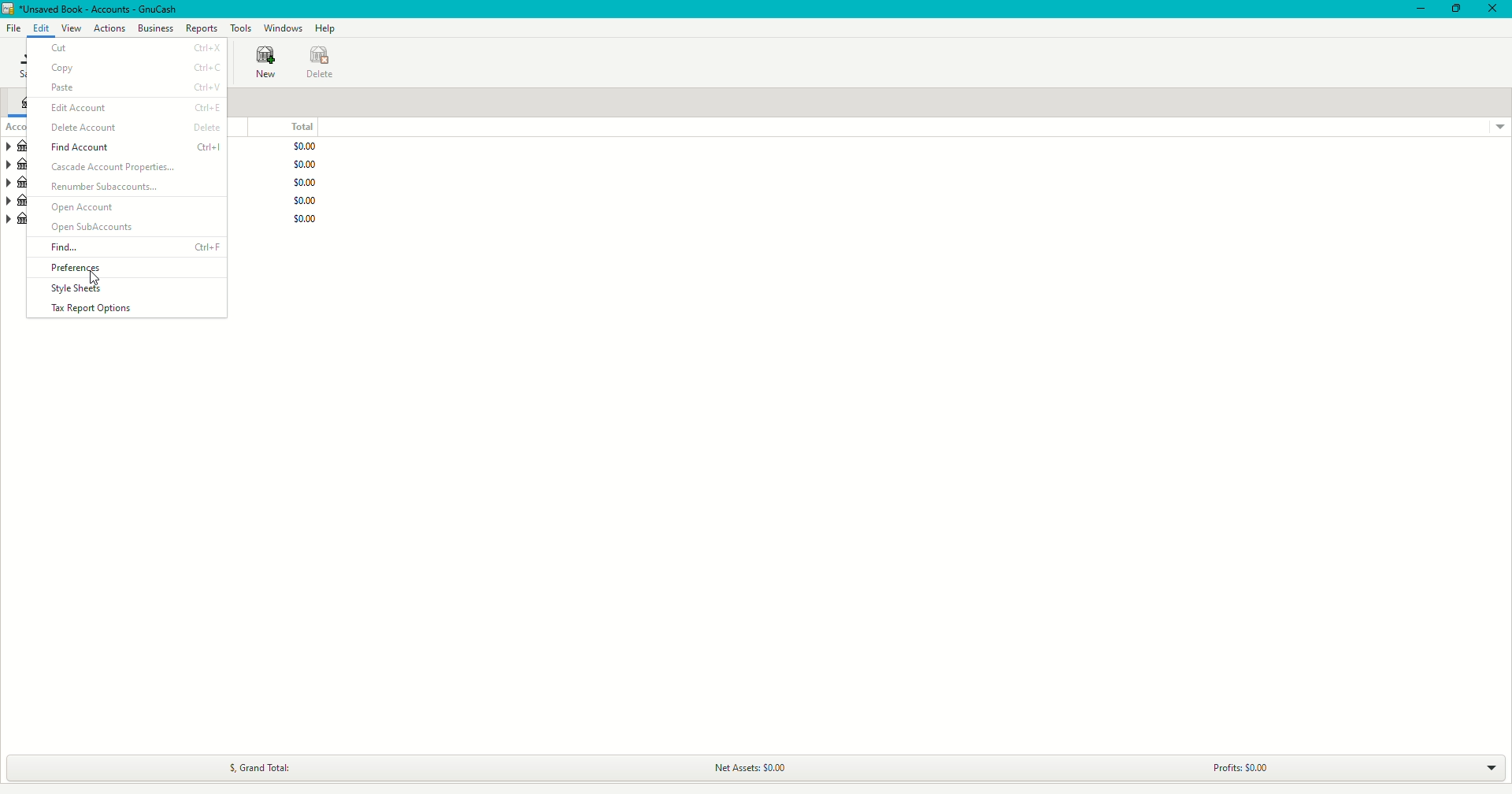 The width and height of the screenshot is (1512, 794). Describe the element at coordinates (9, 9) in the screenshot. I see `logo` at that location.